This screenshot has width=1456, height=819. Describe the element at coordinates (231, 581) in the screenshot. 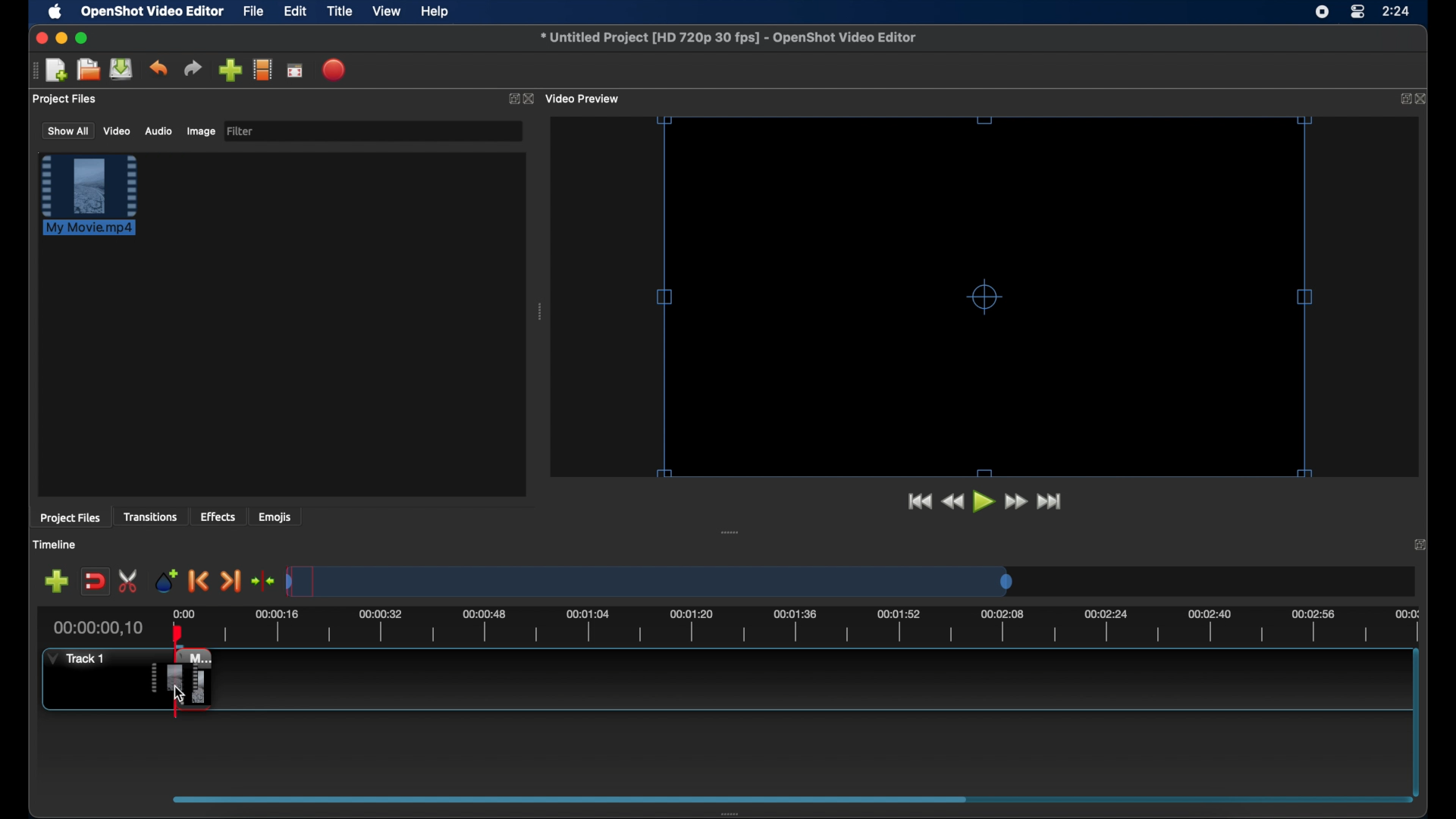

I see `next marker` at that location.